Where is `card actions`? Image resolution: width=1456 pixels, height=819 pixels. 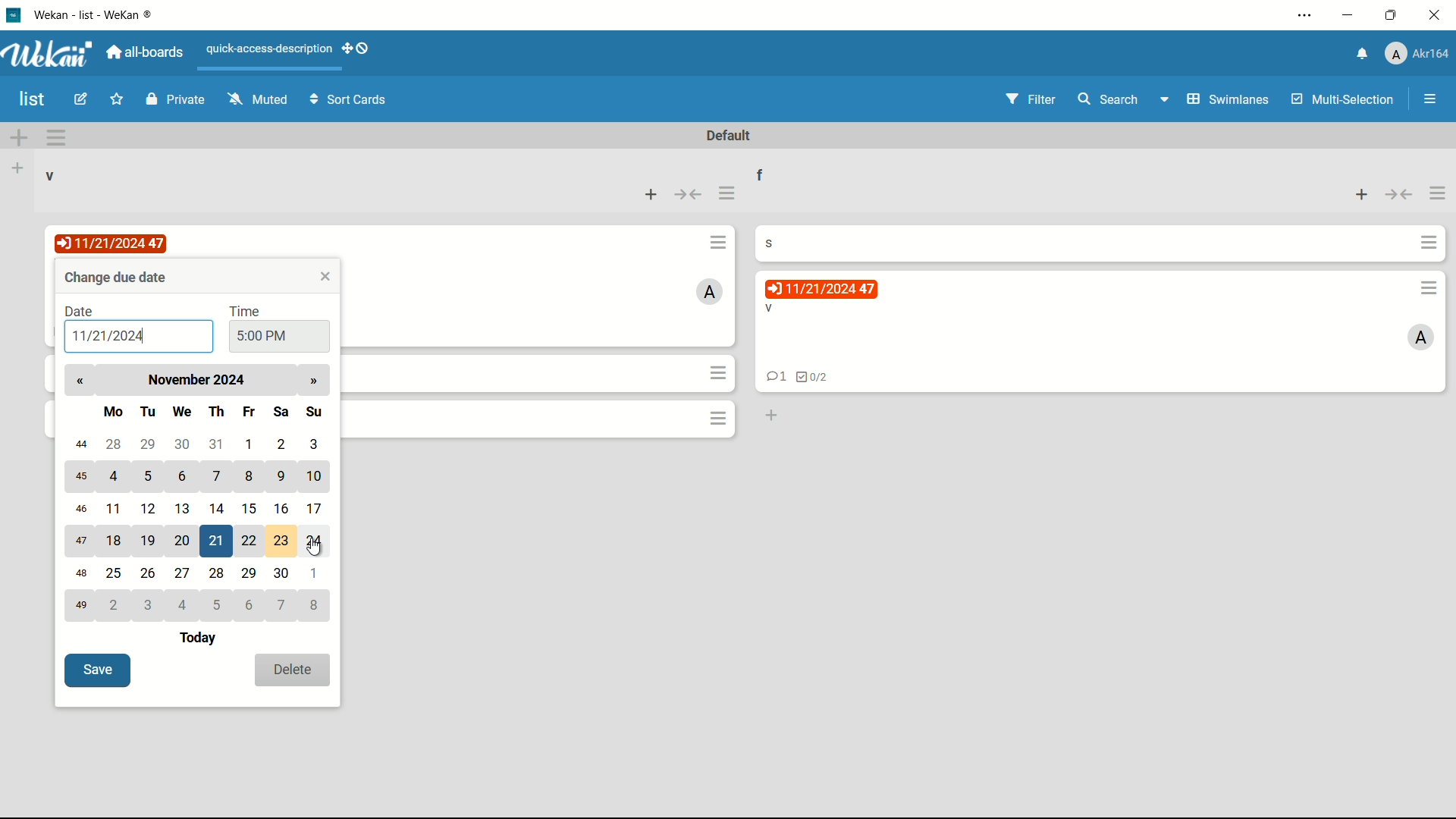 card actions is located at coordinates (718, 418).